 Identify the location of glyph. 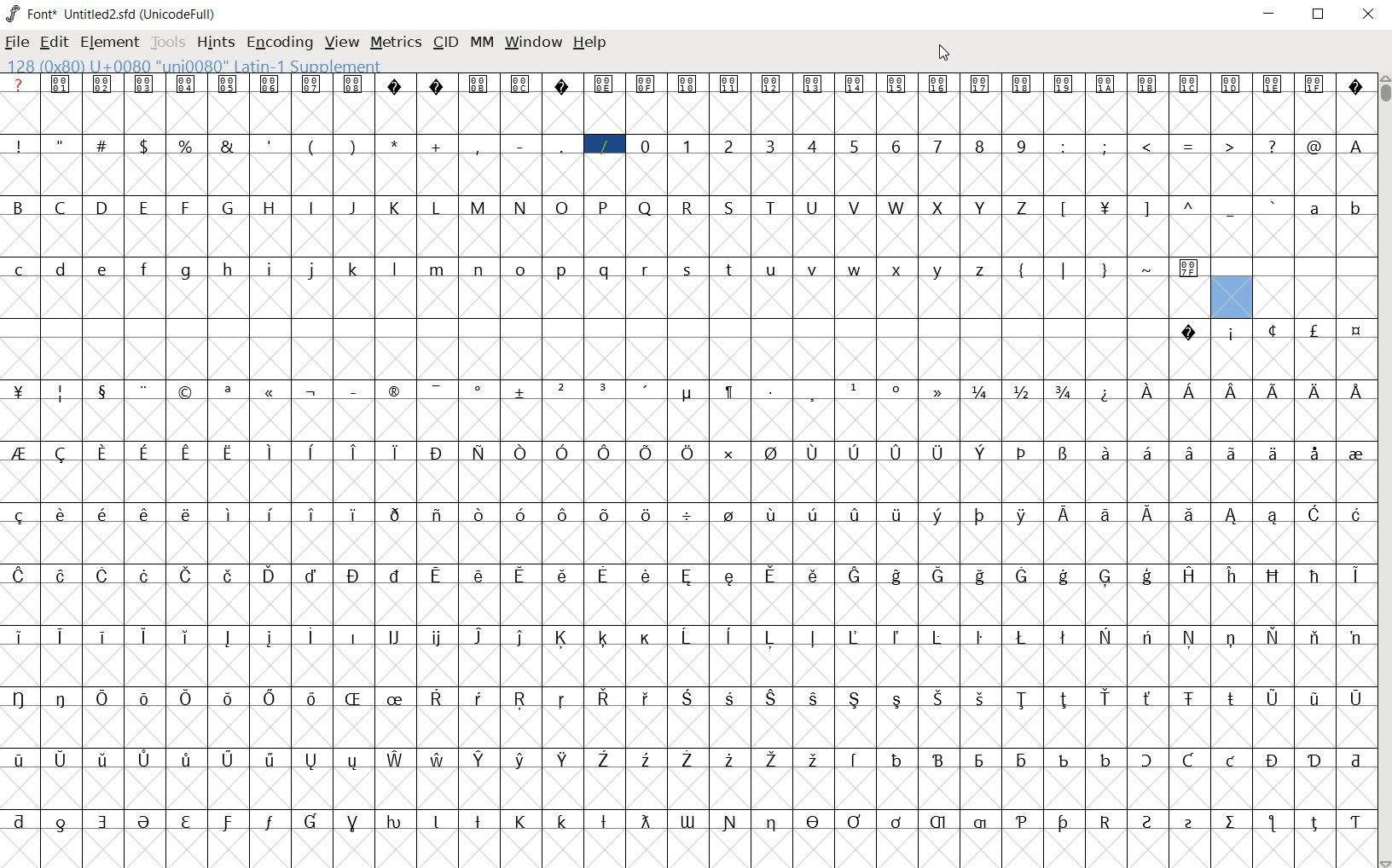
(1273, 84).